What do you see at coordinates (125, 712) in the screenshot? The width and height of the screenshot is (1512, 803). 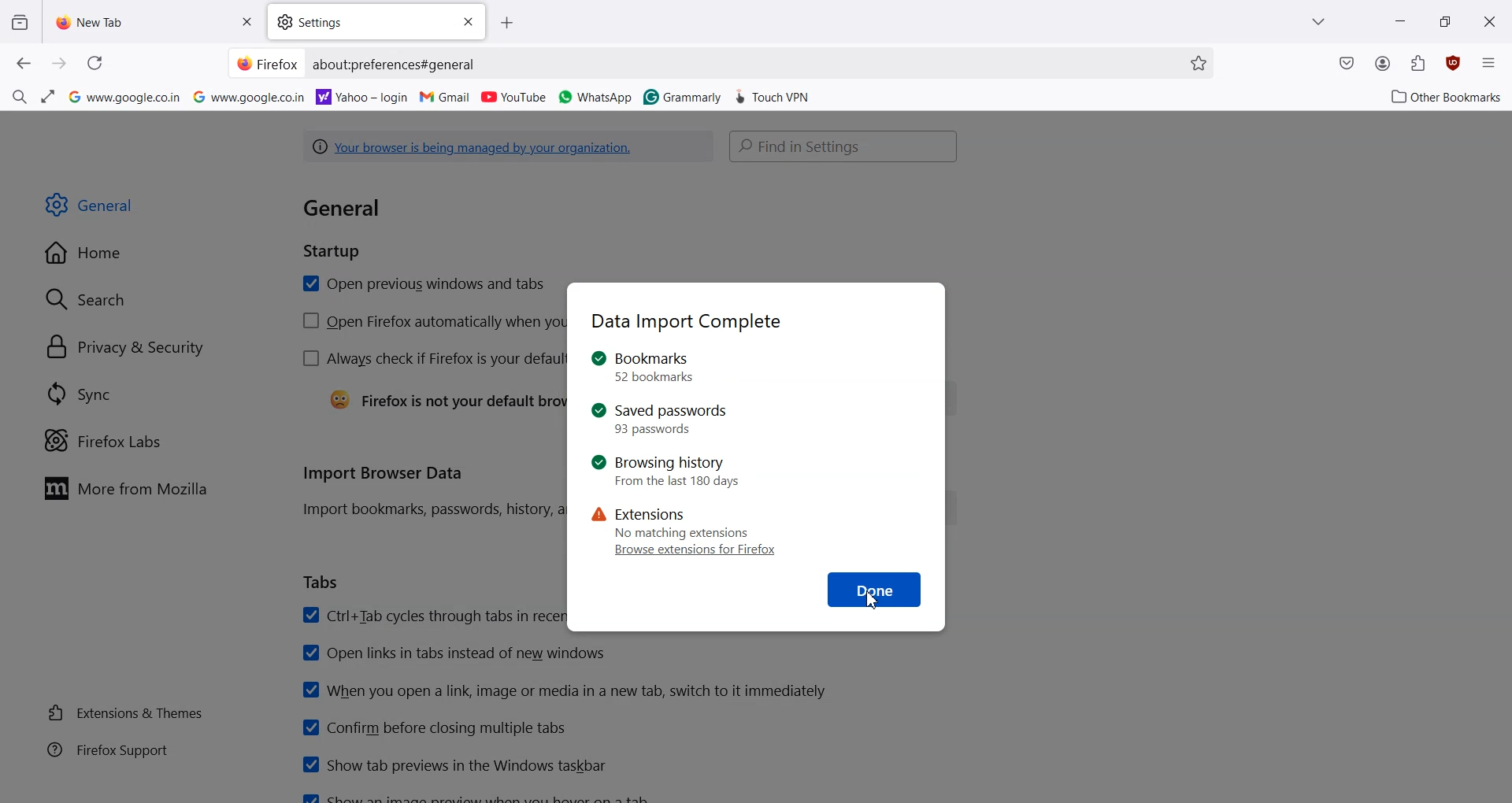 I see `Extensions & Themes` at bounding box center [125, 712].